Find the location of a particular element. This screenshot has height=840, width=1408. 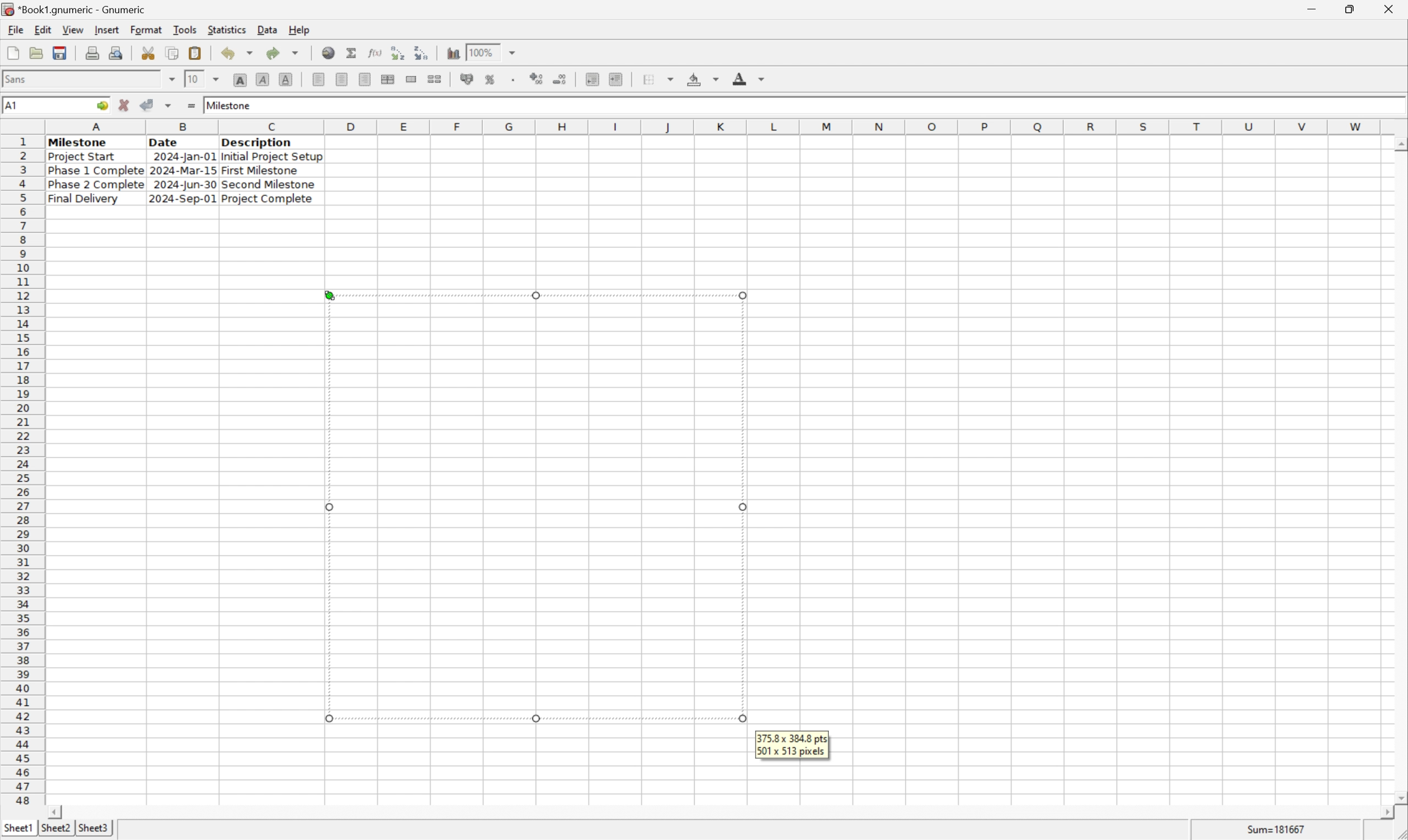

drop down is located at coordinates (217, 78).